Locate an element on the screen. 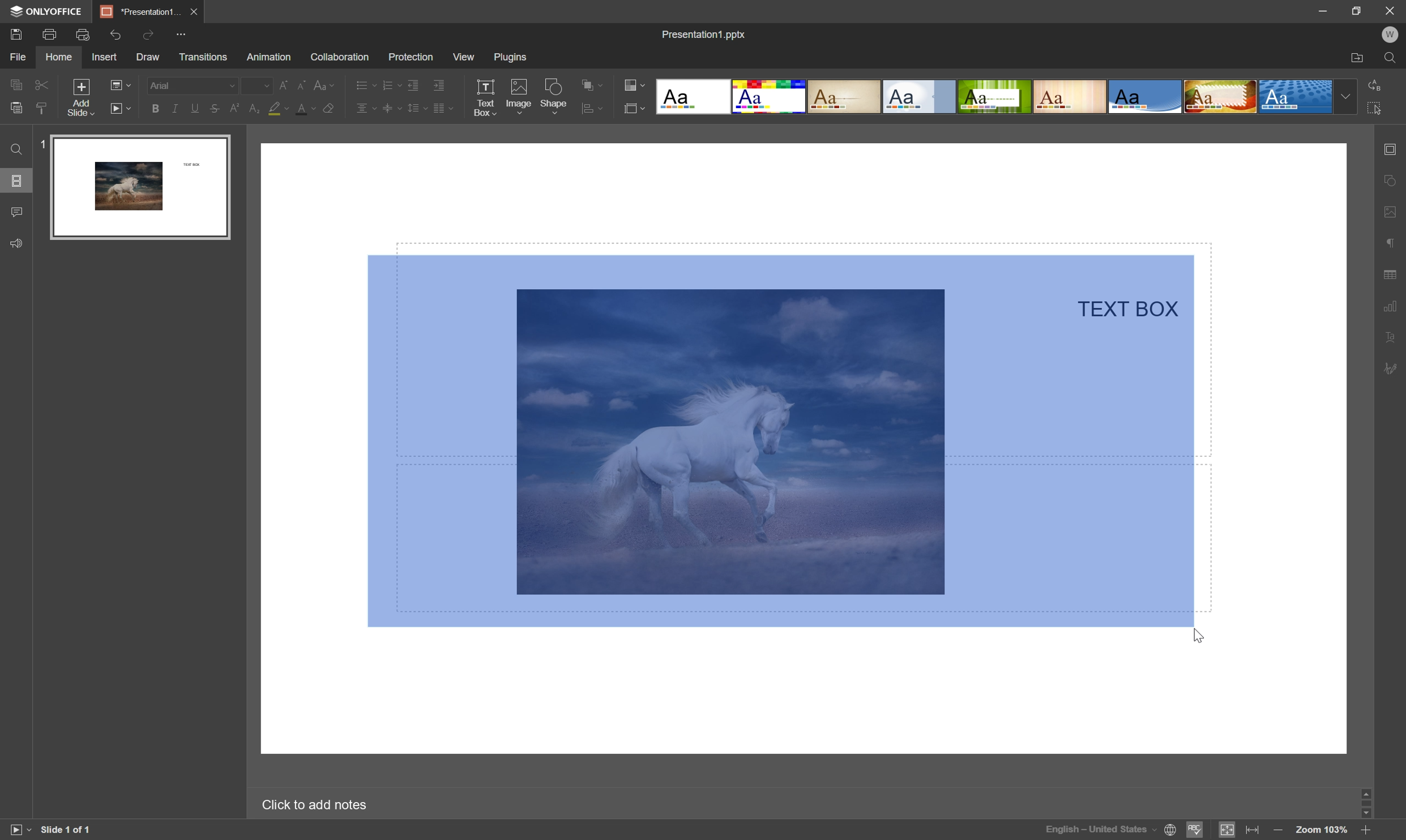 This screenshot has width=1406, height=840. zoom in is located at coordinates (1366, 831).